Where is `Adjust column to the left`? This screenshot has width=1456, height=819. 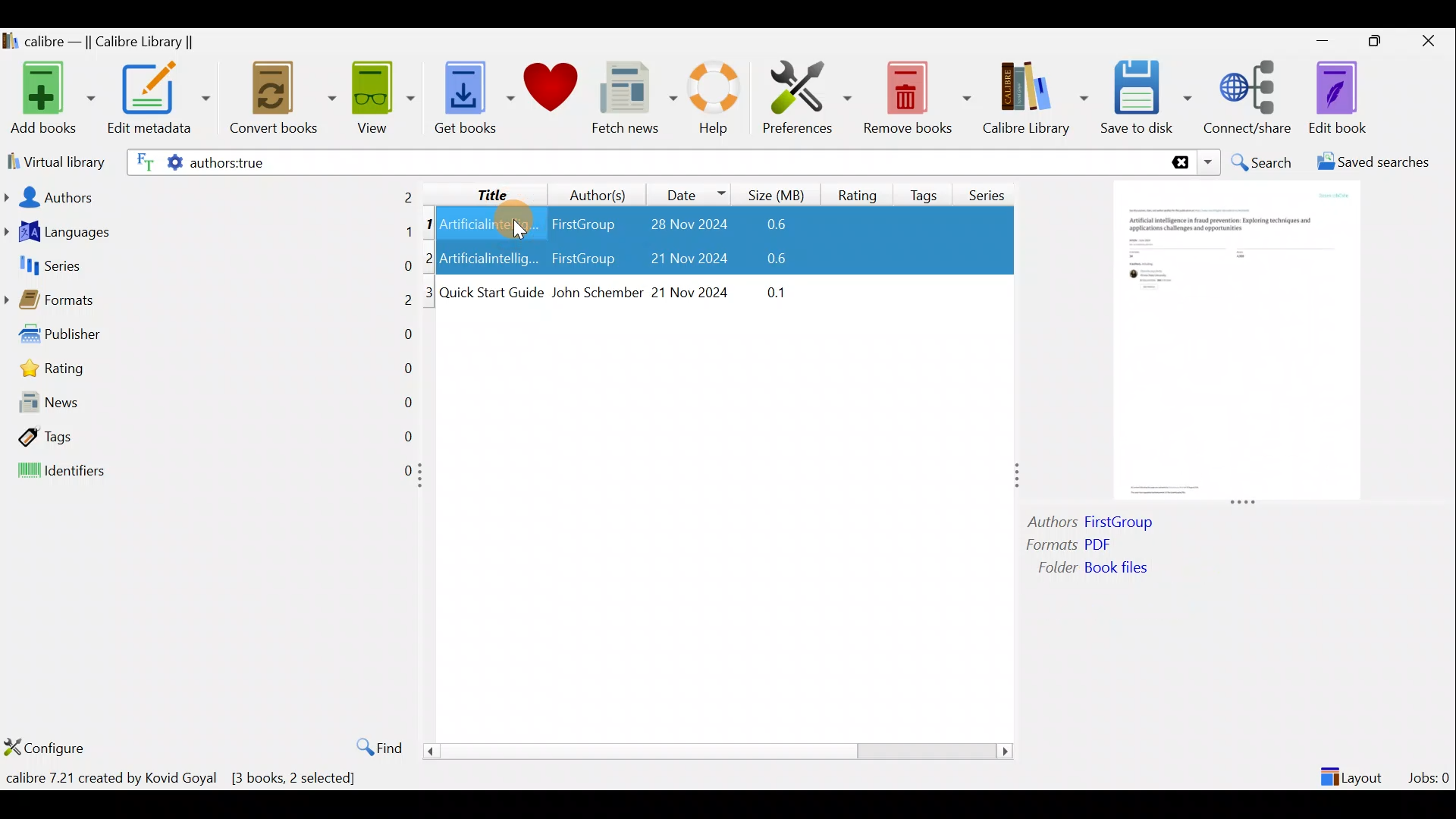 Adjust column to the left is located at coordinates (425, 480).